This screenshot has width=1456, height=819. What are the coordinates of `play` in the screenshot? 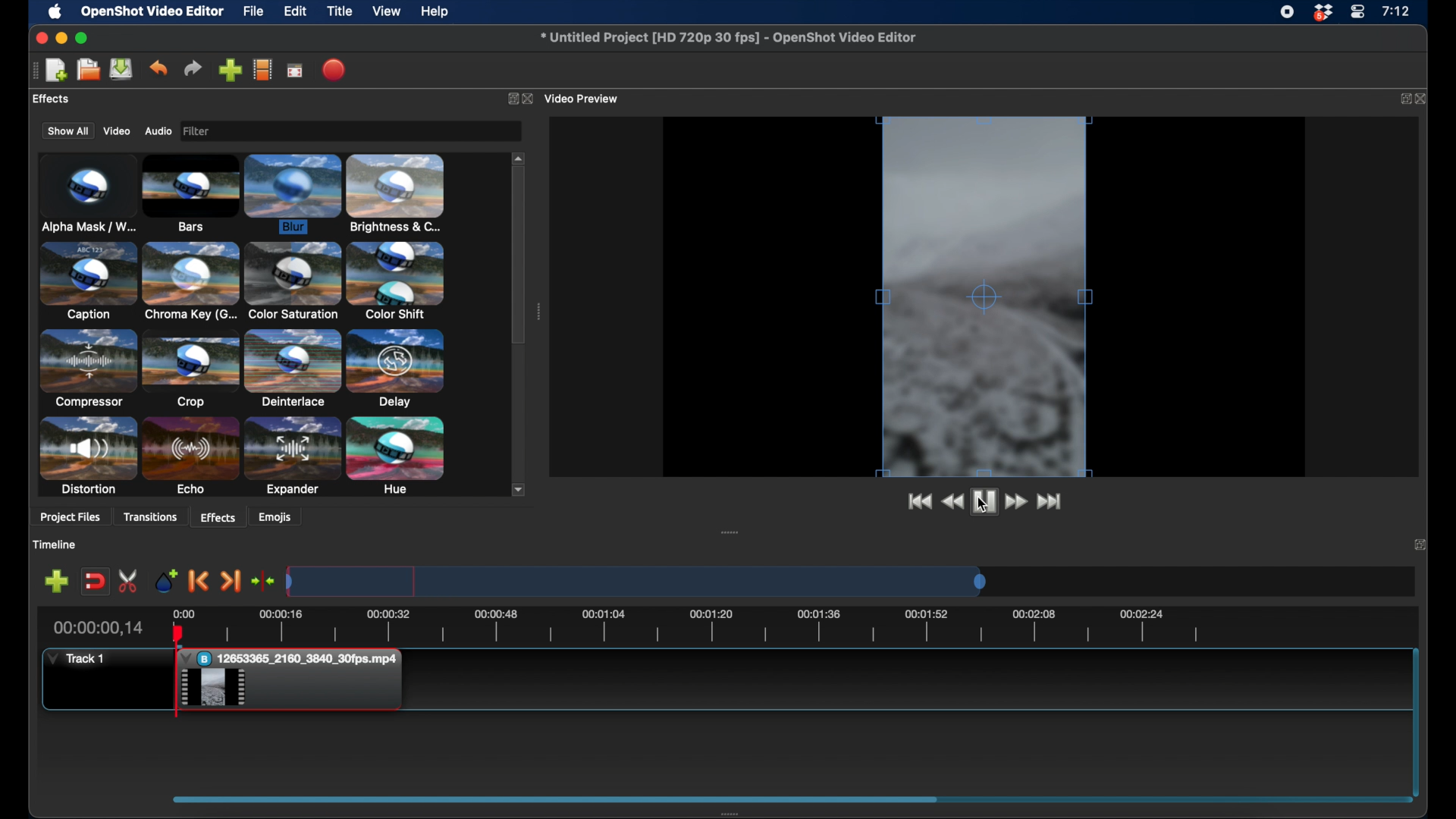 It's located at (984, 504).